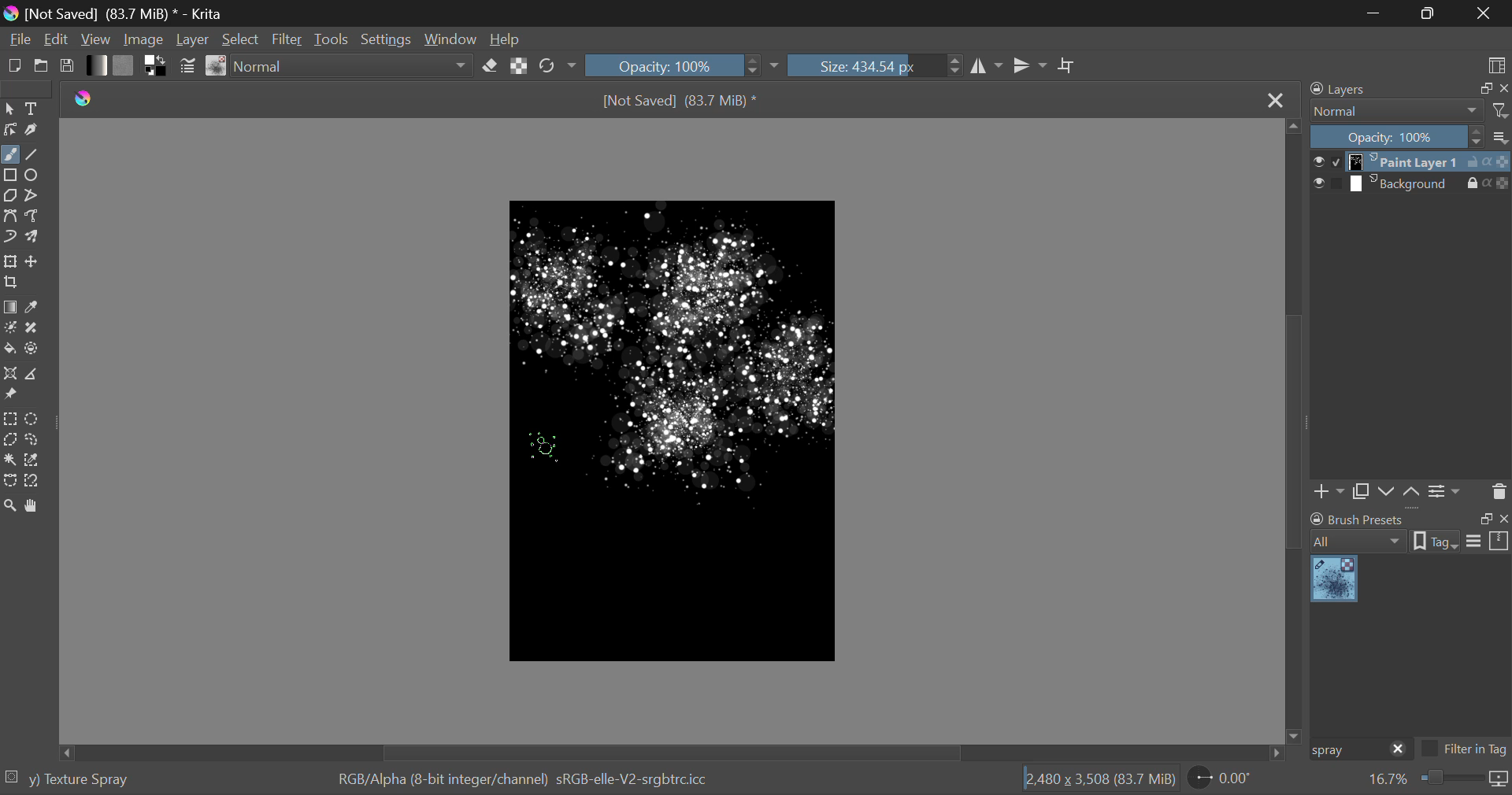  I want to click on Settings, so click(1447, 492).